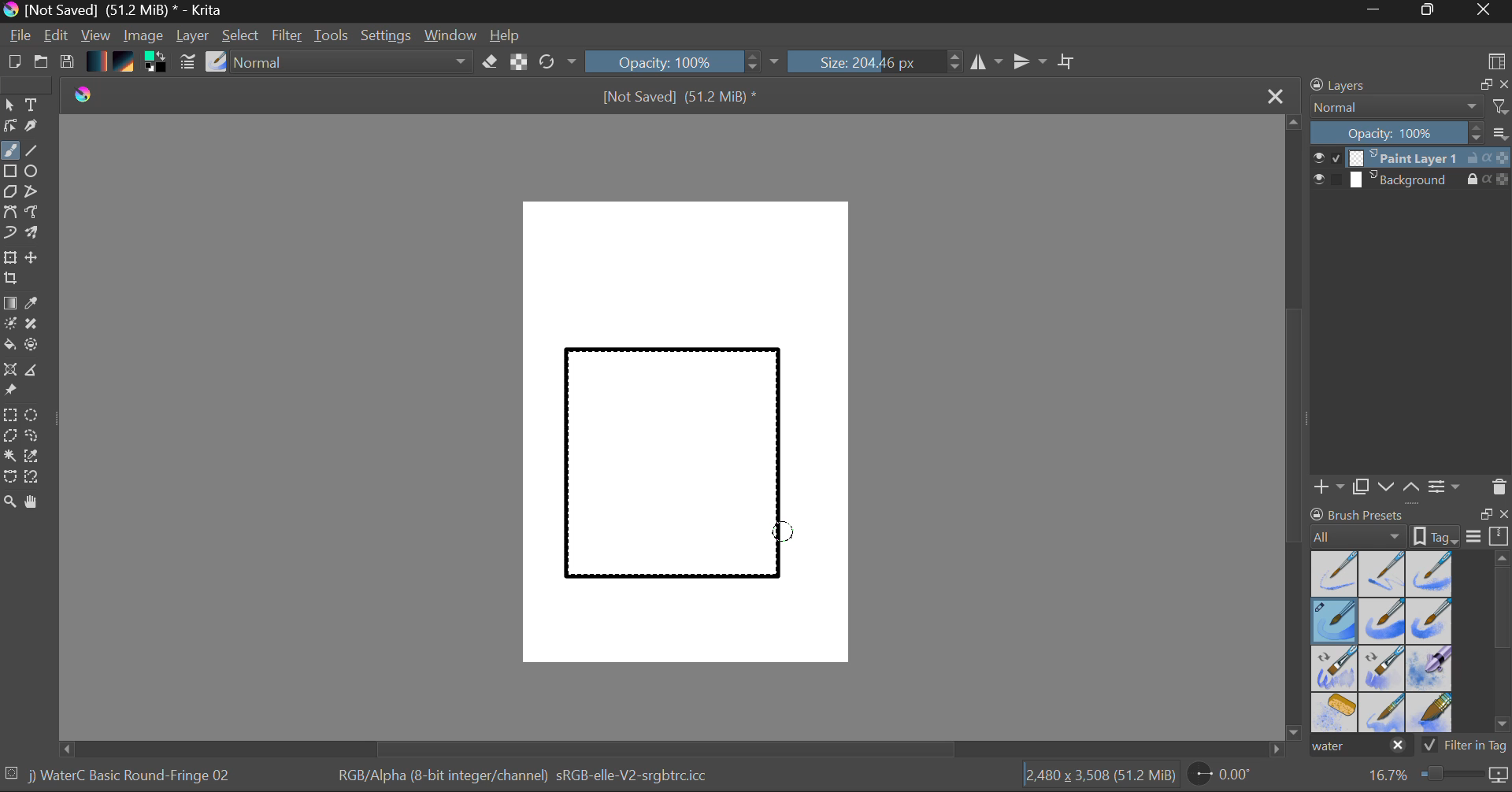  What do you see at coordinates (1336, 668) in the screenshot?
I see `Water C - Grain Tilt` at bounding box center [1336, 668].